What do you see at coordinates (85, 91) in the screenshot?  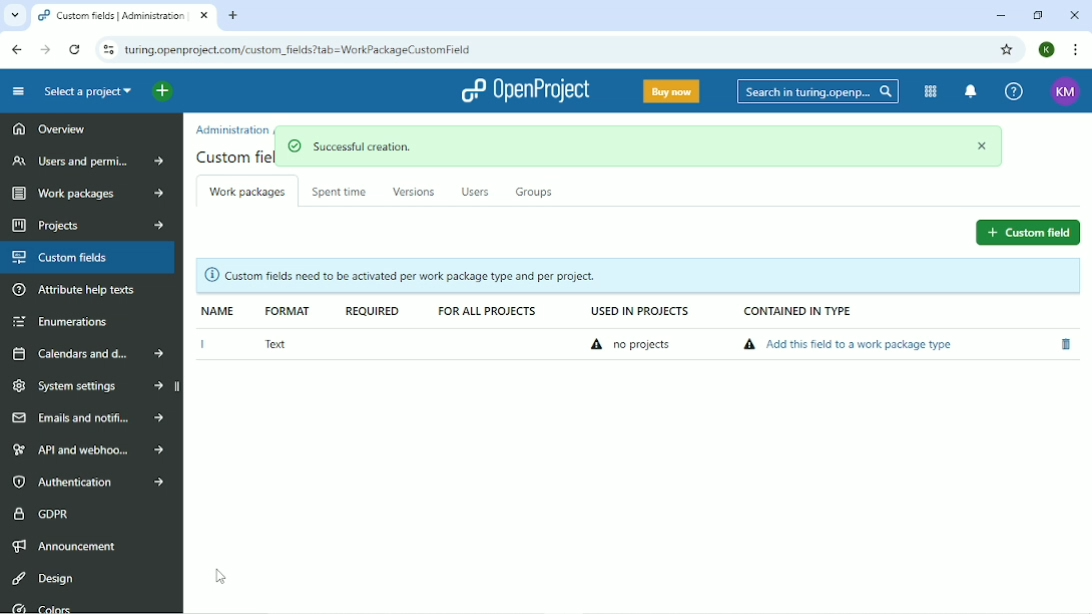 I see `Select a project` at bounding box center [85, 91].